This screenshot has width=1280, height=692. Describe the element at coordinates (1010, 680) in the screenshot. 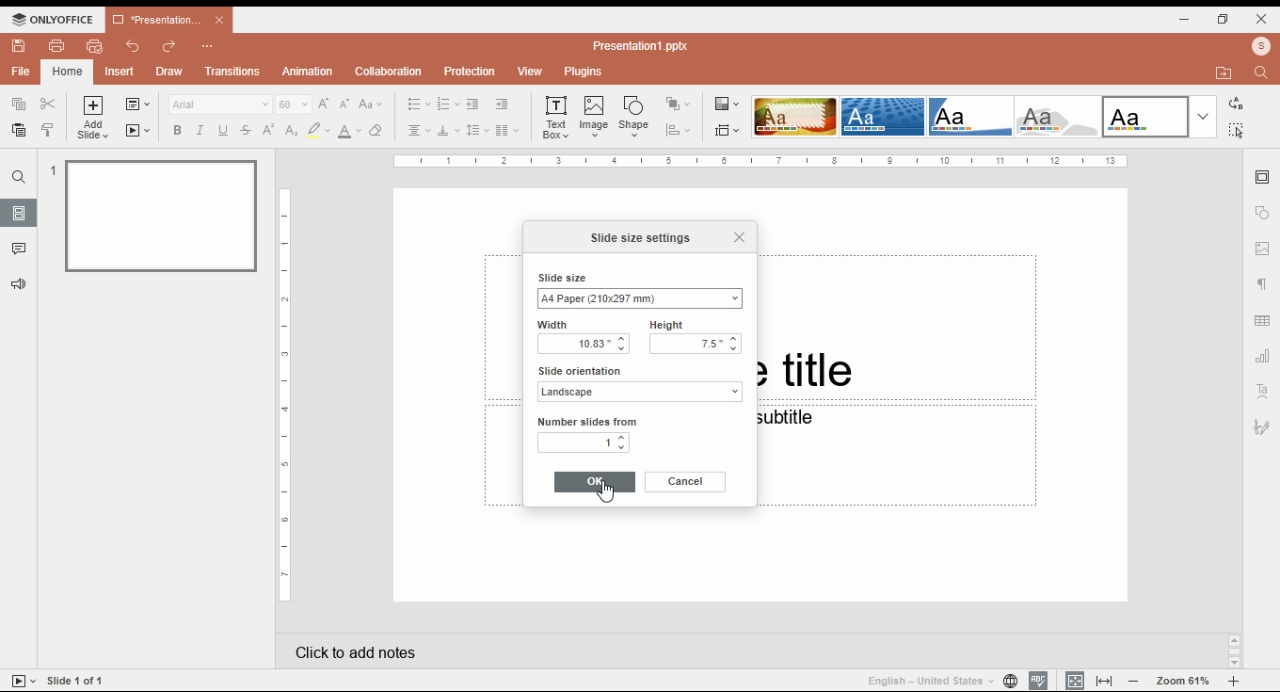

I see `set document language` at that location.